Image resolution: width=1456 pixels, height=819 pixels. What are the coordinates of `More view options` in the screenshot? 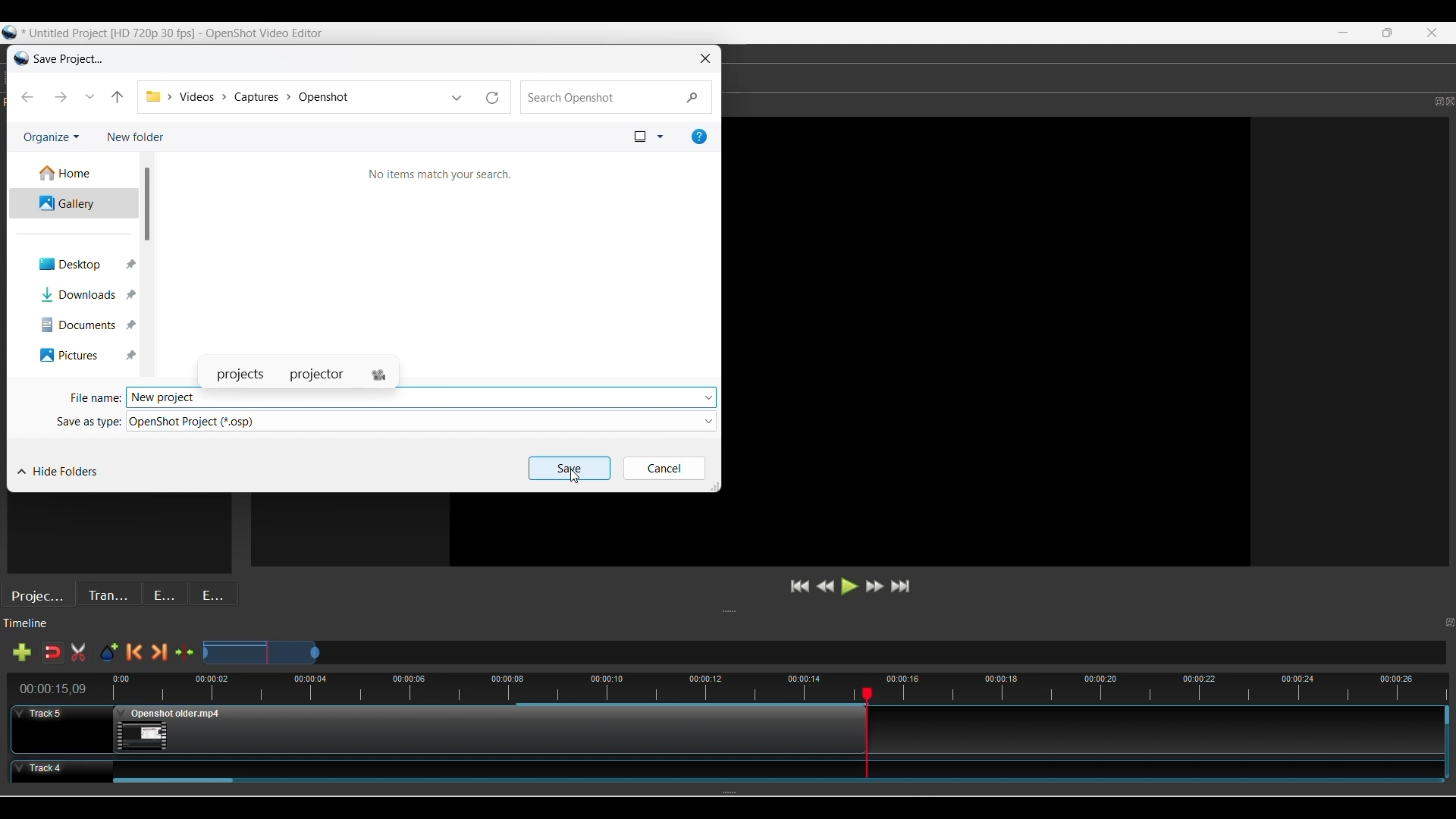 It's located at (660, 136).